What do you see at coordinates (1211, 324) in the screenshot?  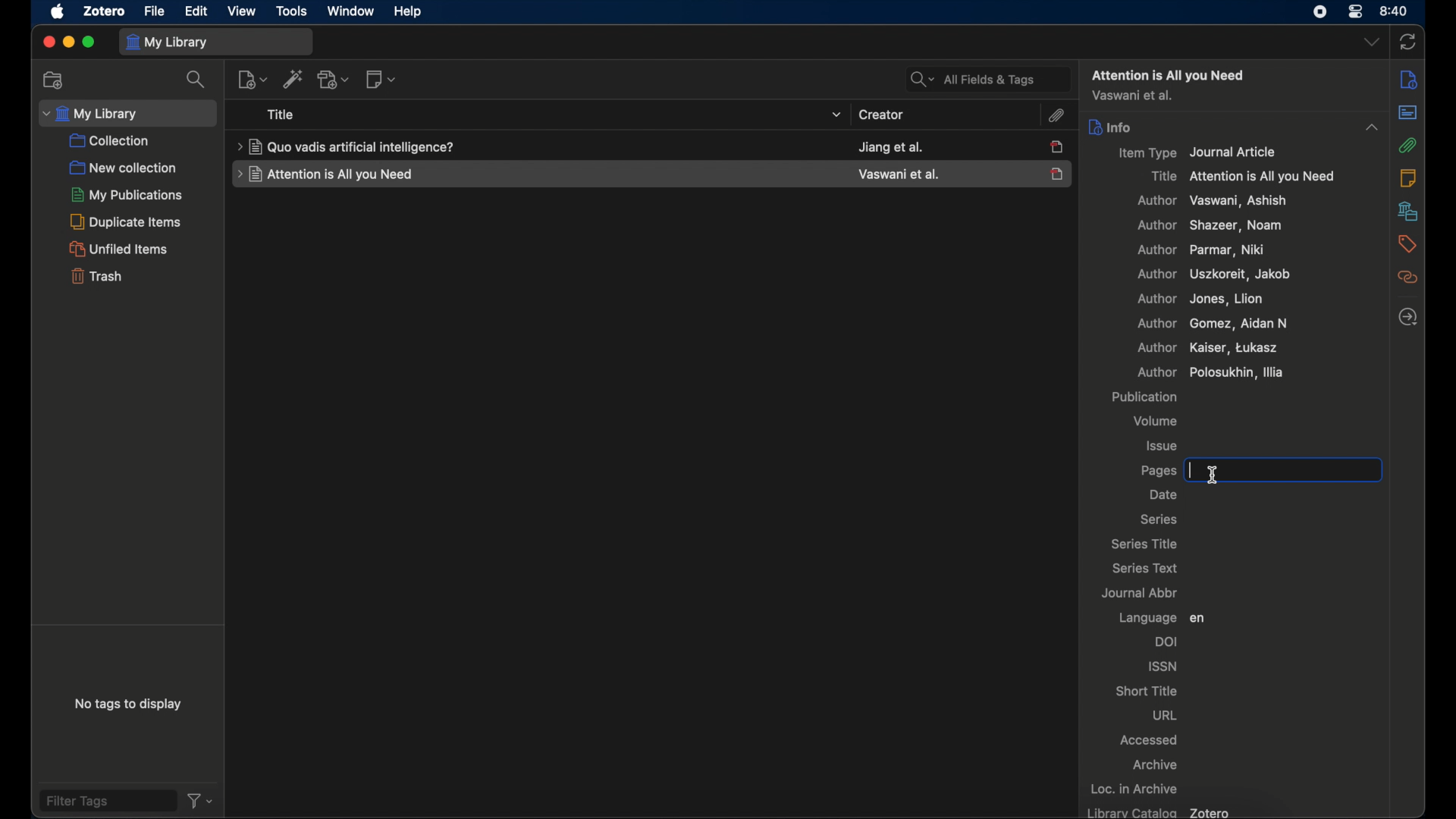 I see `author Gomez, Aidan n` at bounding box center [1211, 324].